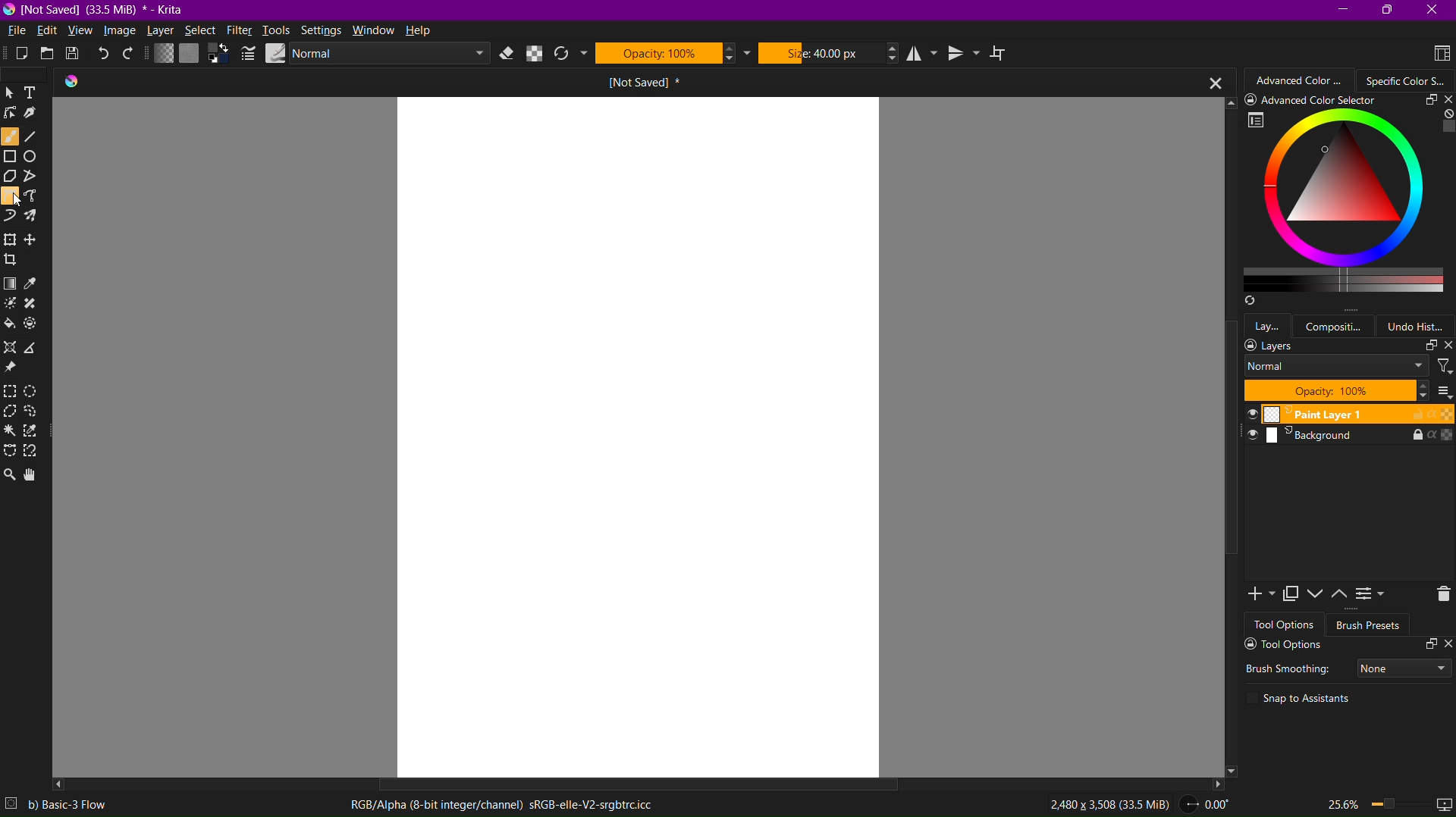 Image resolution: width=1456 pixels, height=817 pixels. Describe the element at coordinates (11, 283) in the screenshot. I see `Gradient` at that location.